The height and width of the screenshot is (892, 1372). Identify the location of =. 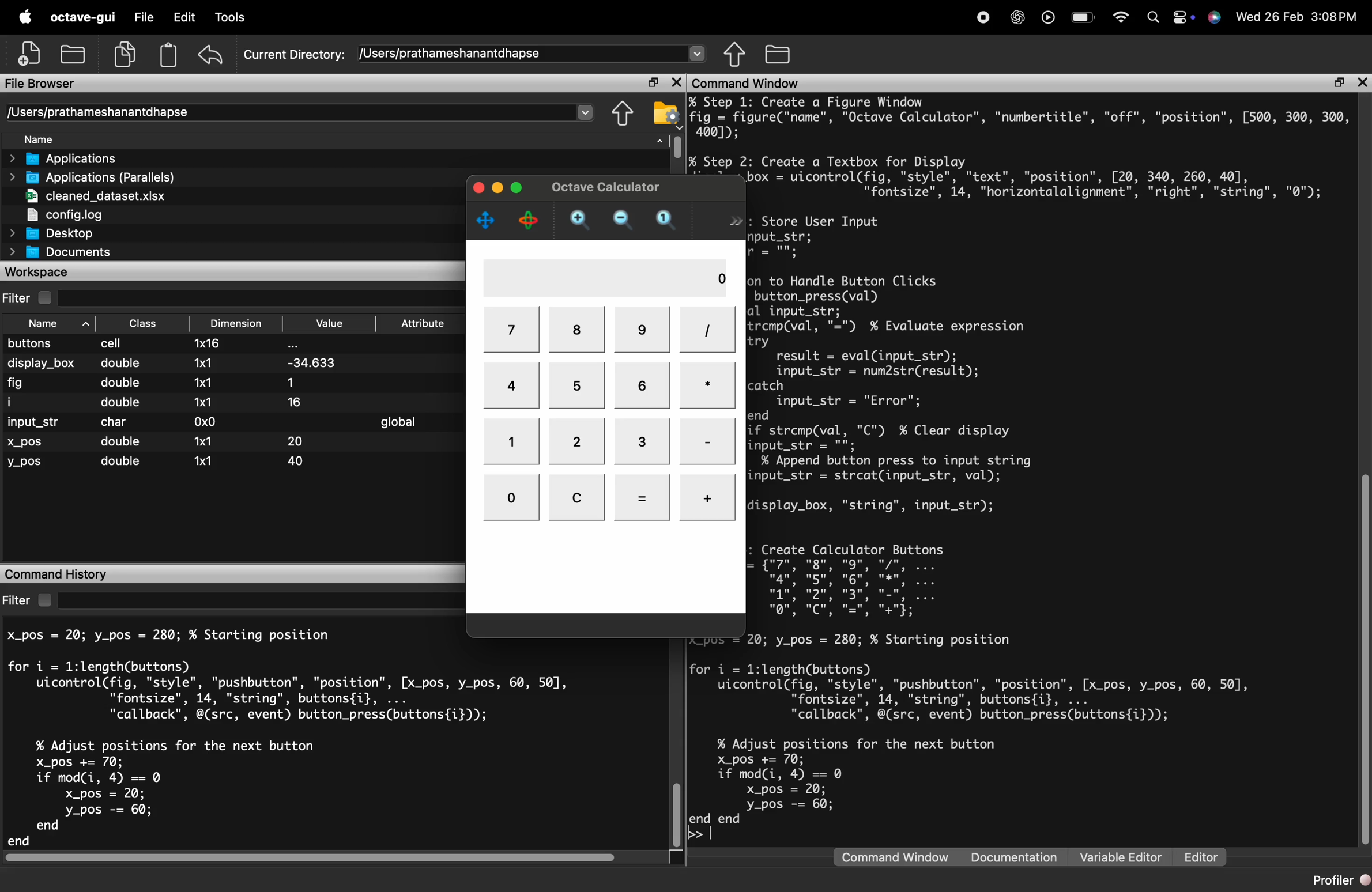
(642, 498).